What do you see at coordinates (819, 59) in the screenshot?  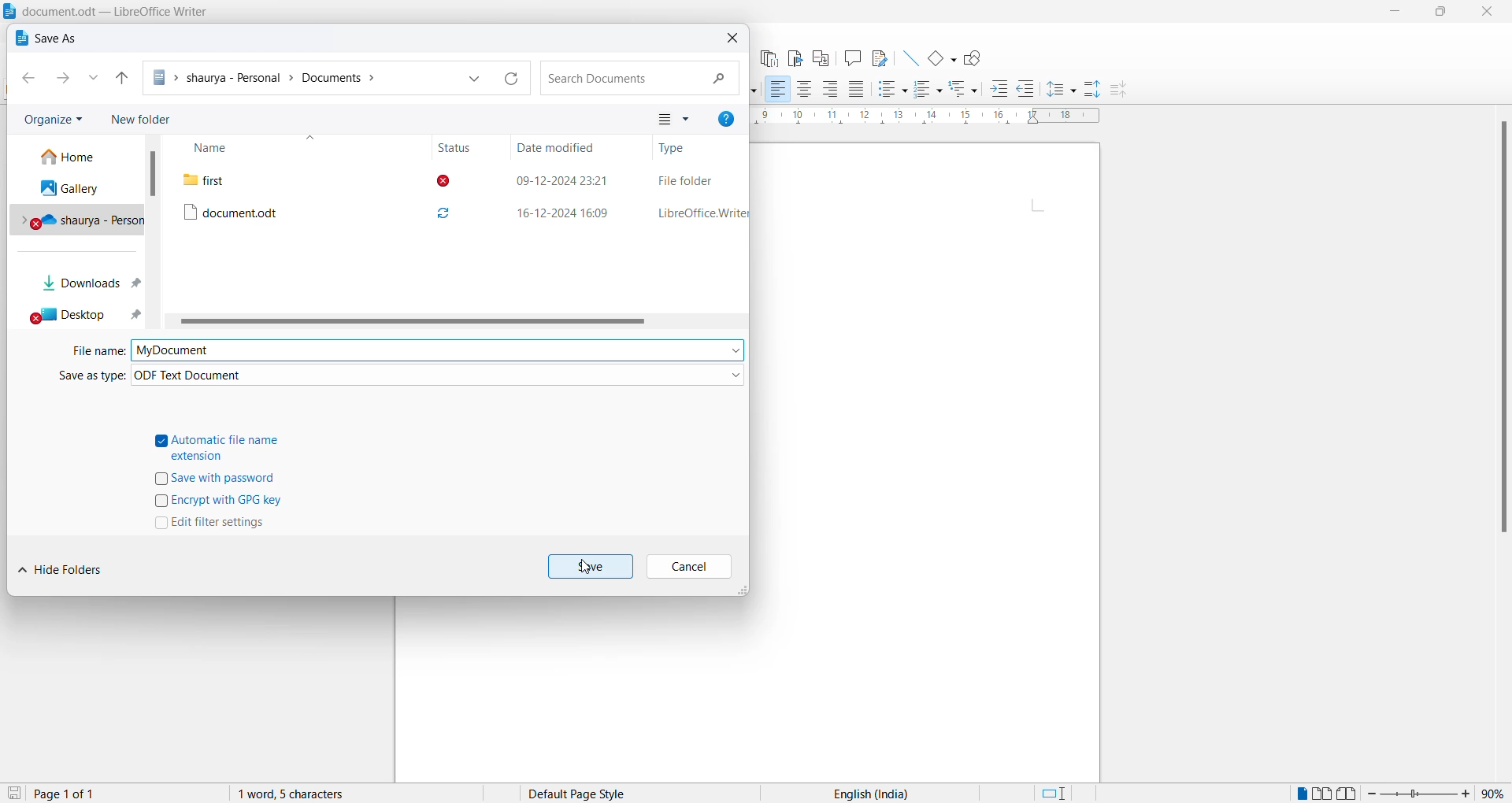 I see `Insert cross reference` at bounding box center [819, 59].